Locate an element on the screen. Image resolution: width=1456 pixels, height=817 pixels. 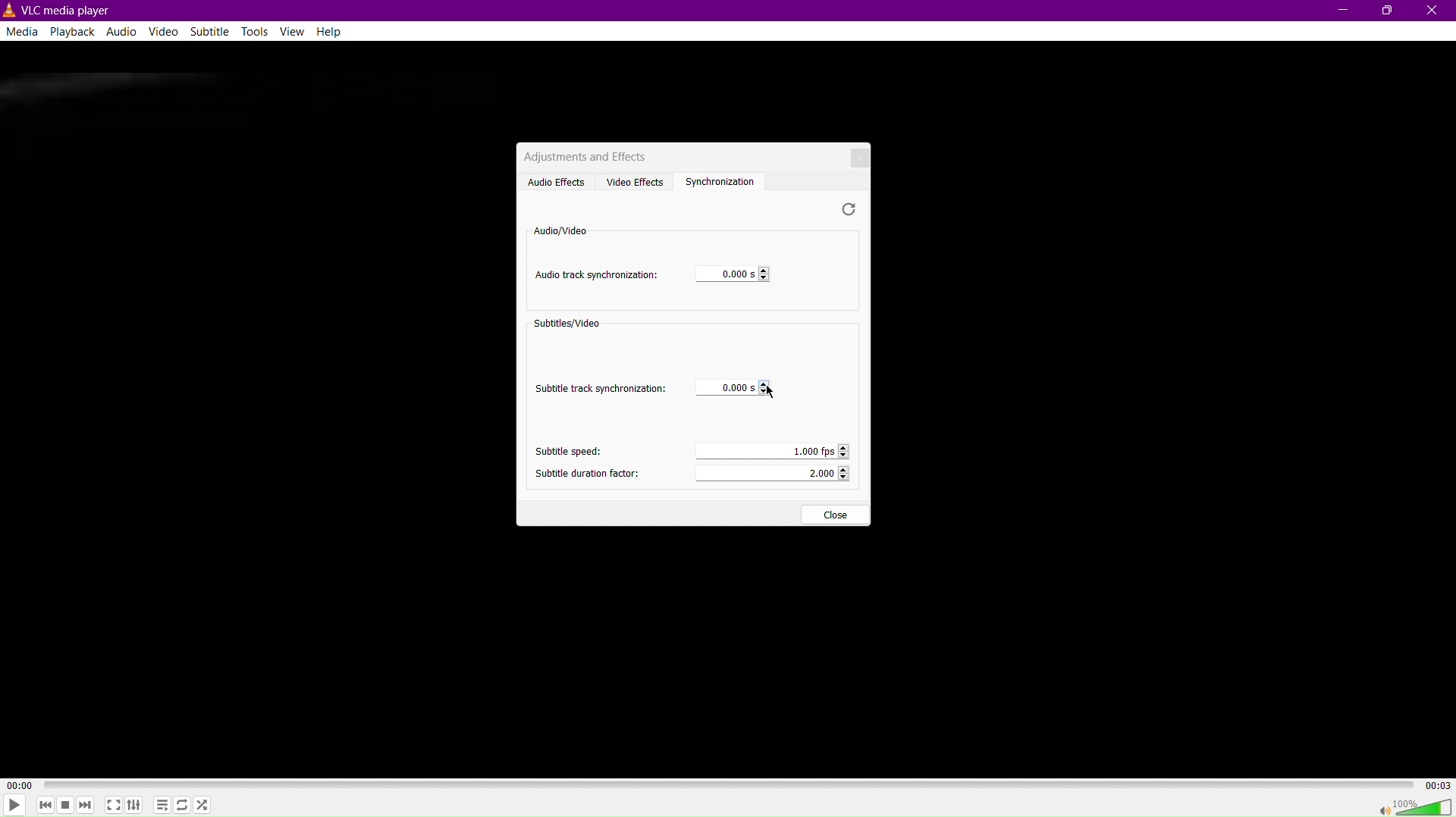
Value is located at coordinates (727, 275).